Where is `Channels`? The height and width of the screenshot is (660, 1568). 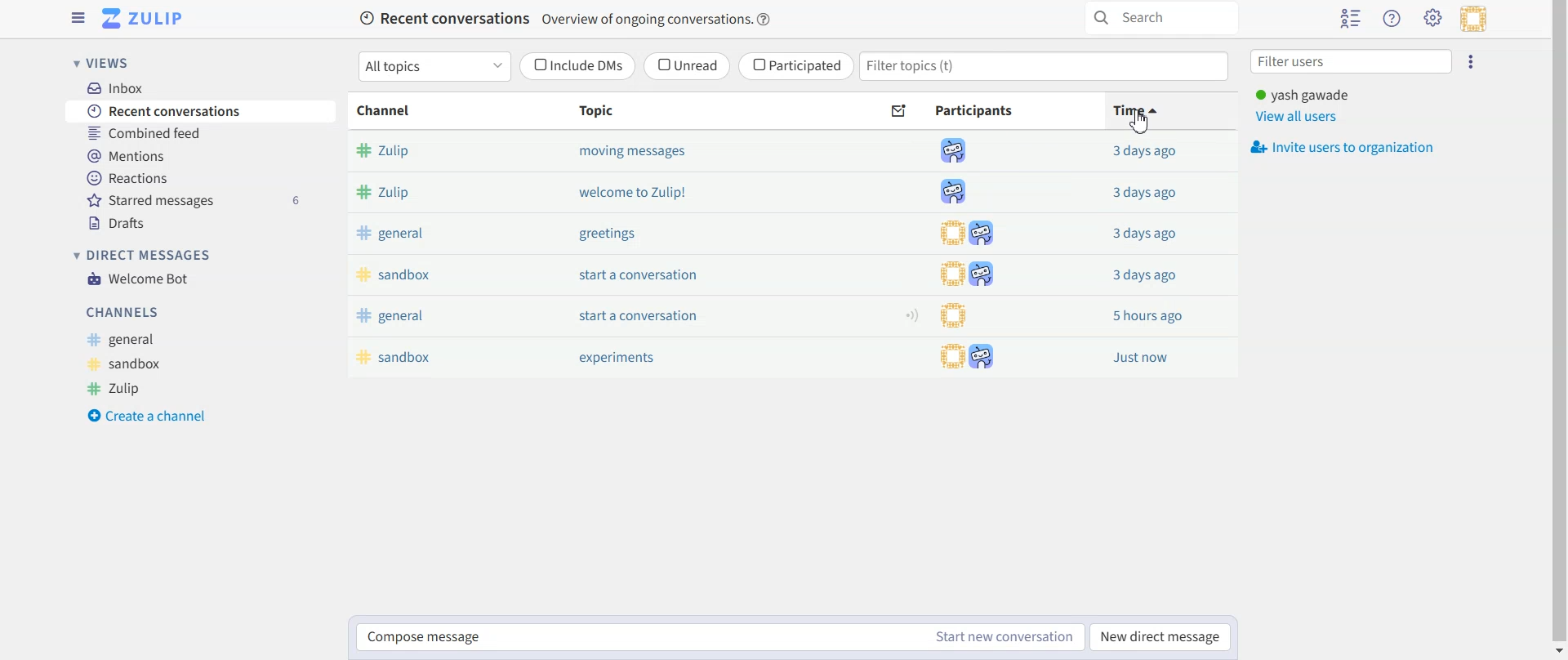 Channels is located at coordinates (121, 312).